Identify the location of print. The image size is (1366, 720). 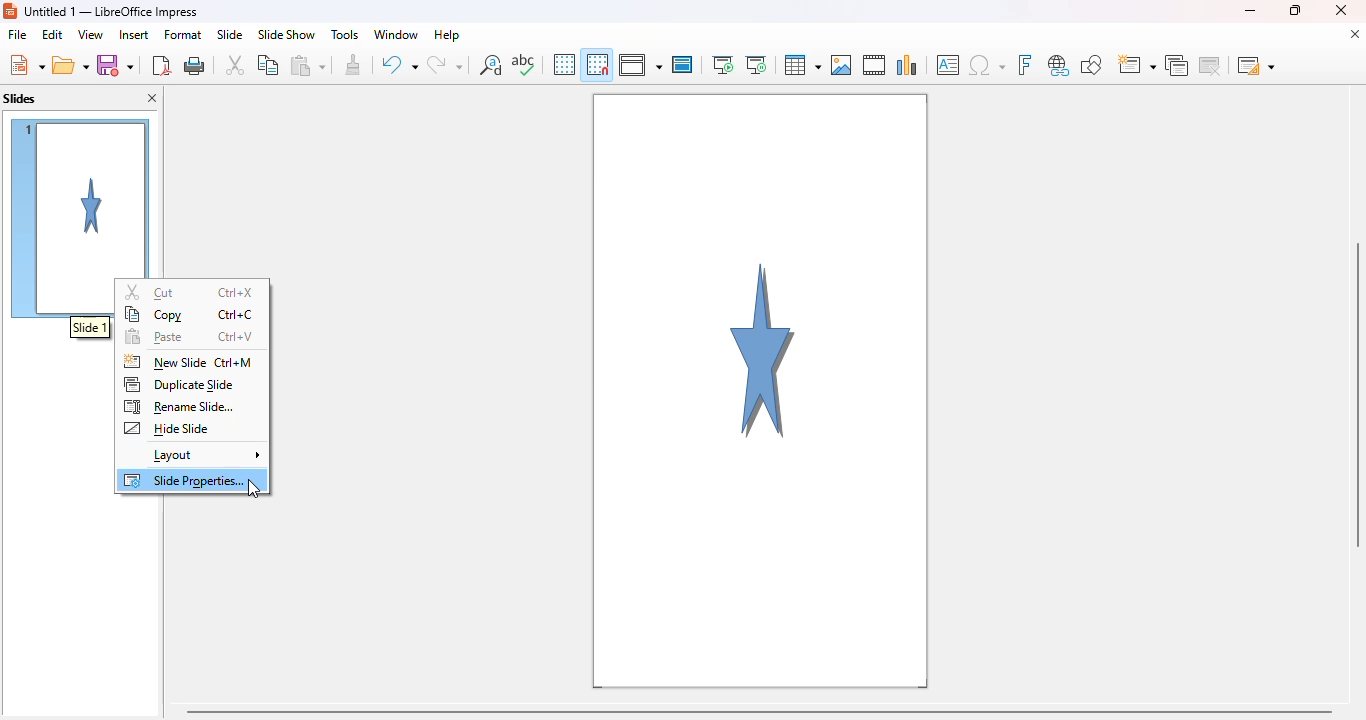
(196, 64).